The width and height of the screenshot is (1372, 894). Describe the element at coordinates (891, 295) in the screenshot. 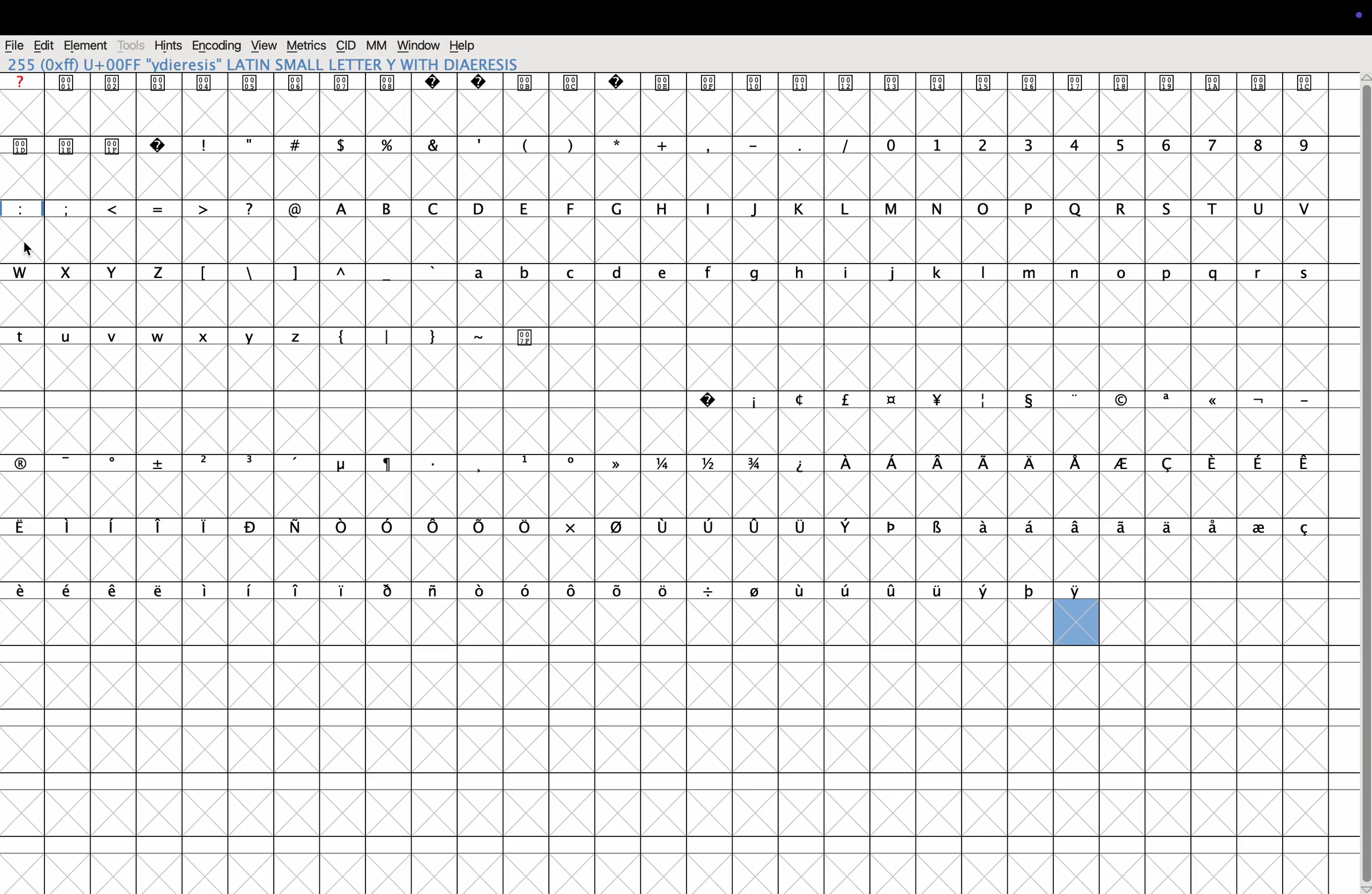

I see `j` at that location.